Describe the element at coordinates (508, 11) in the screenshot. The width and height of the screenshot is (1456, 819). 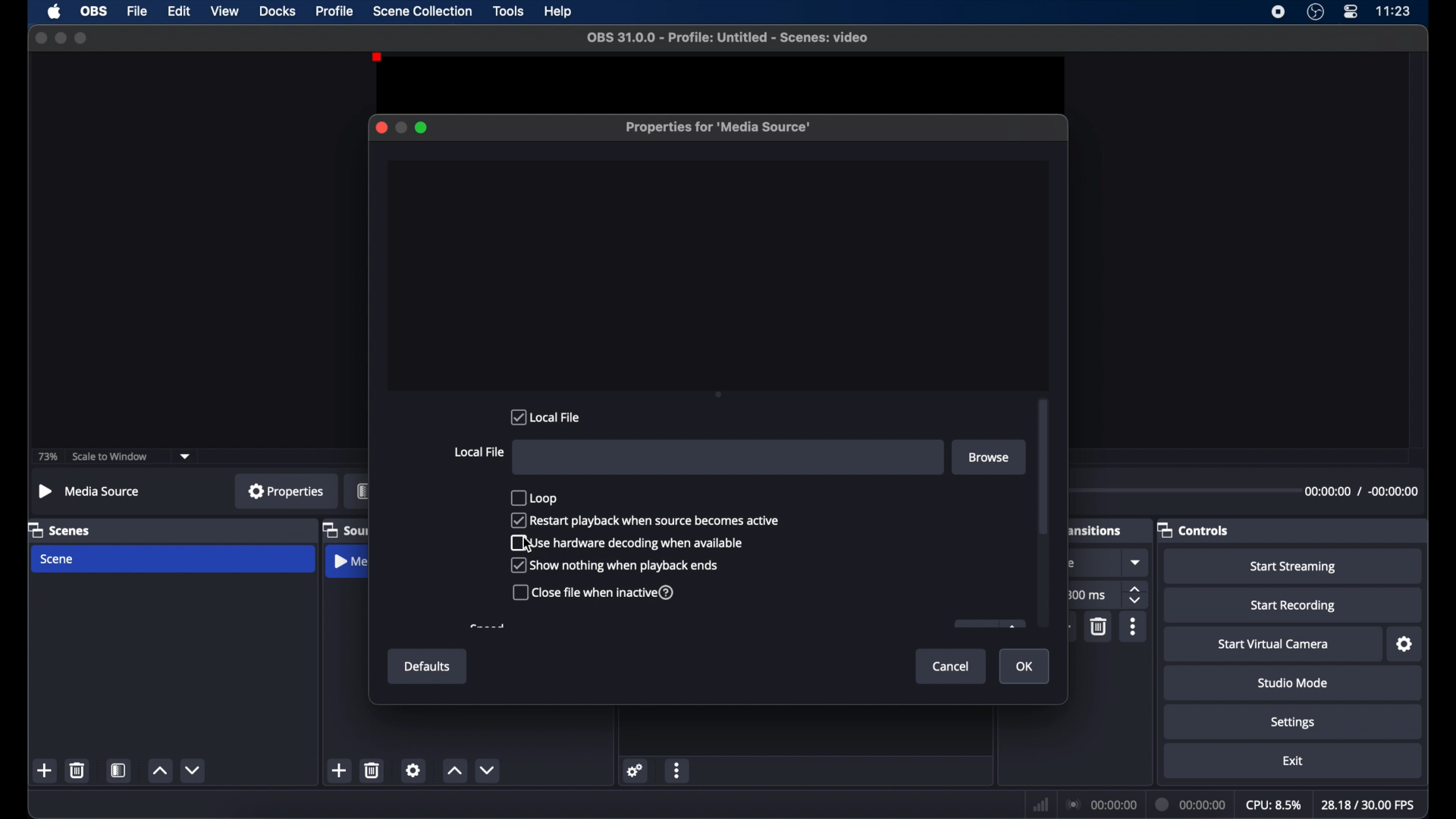
I see `tools` at that location.